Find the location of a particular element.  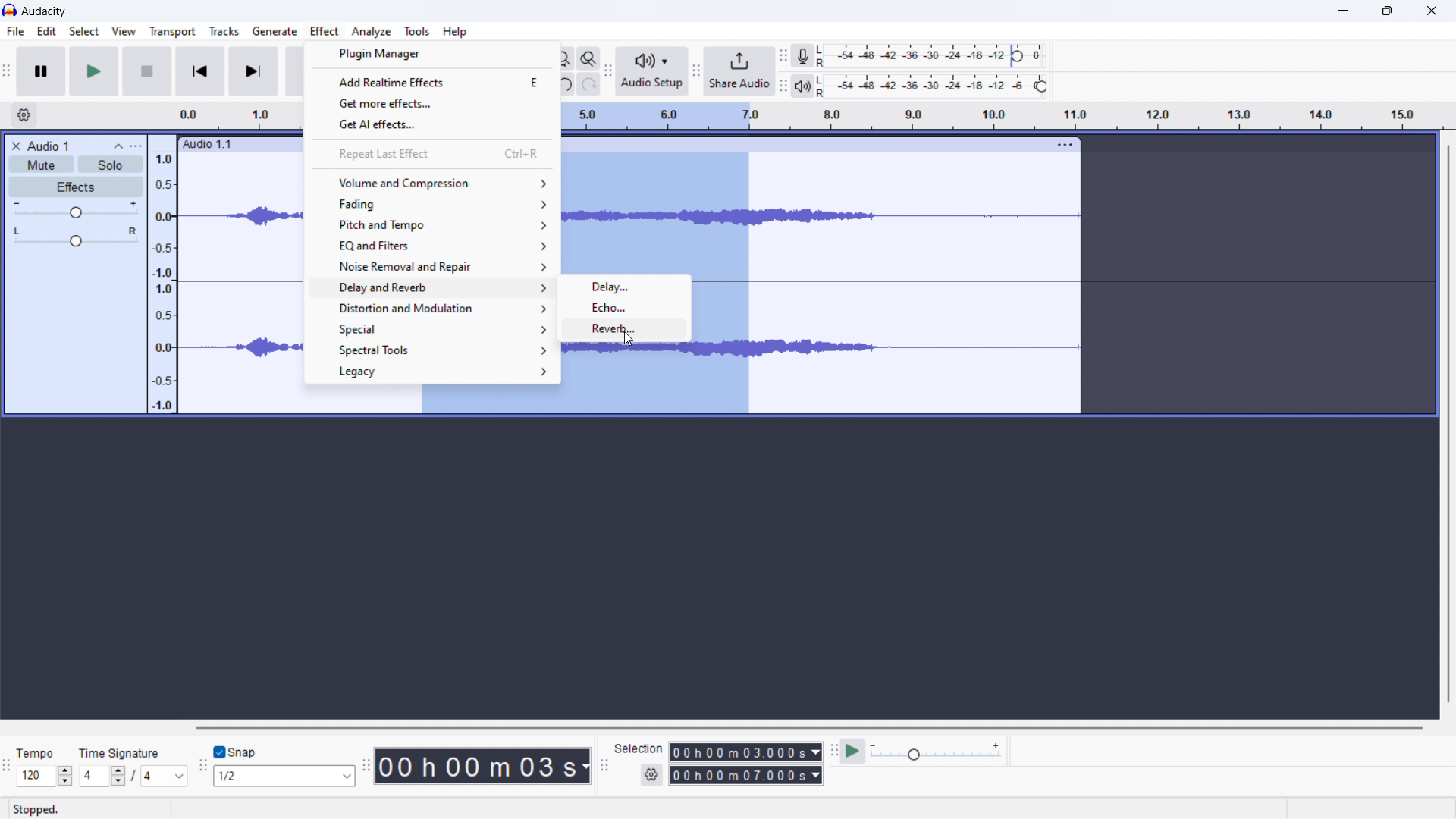

logo is located at coordinates (11, 10).